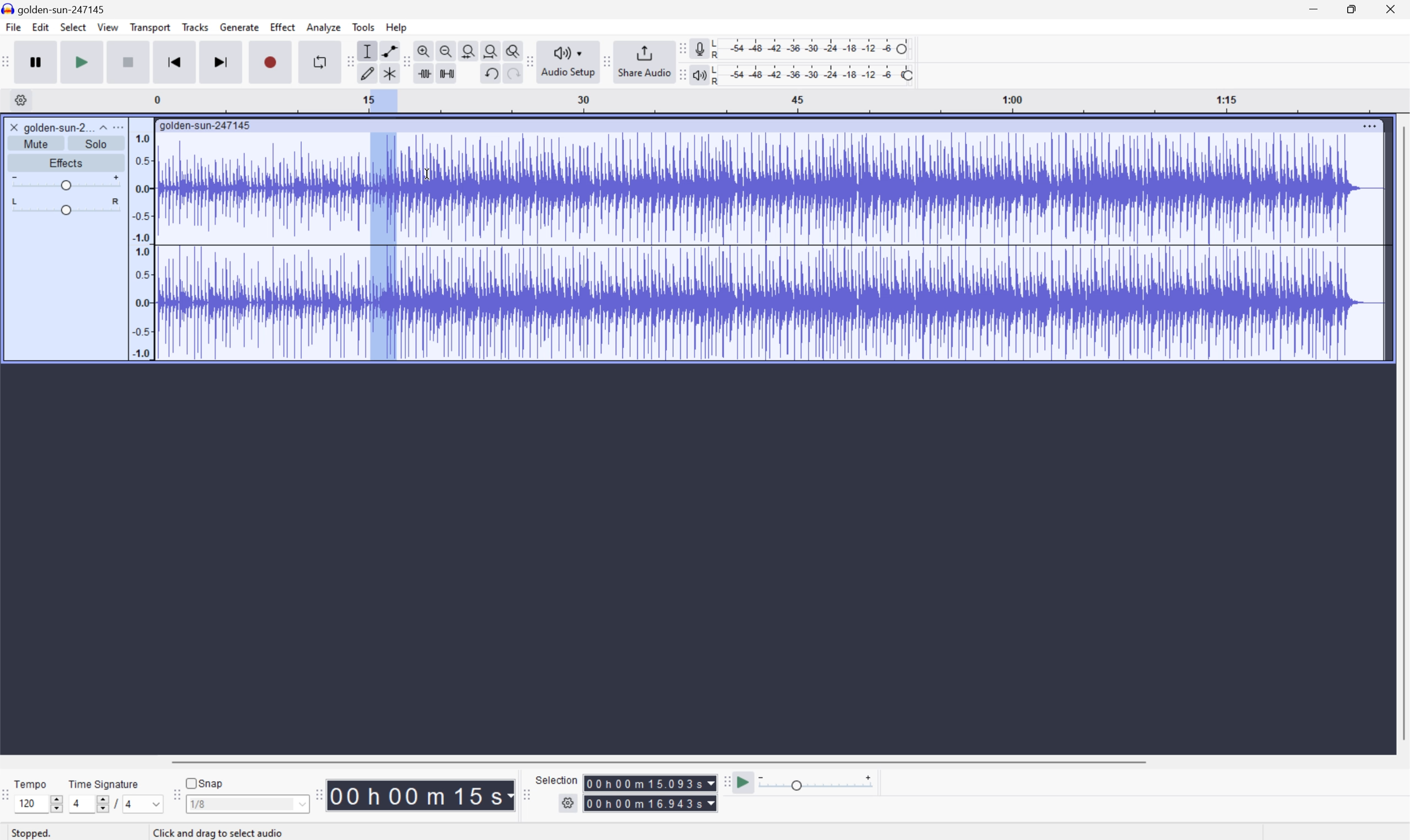  Describe the element at coordinates (1394, 8) in the screenshot. I see `Close` at that location.